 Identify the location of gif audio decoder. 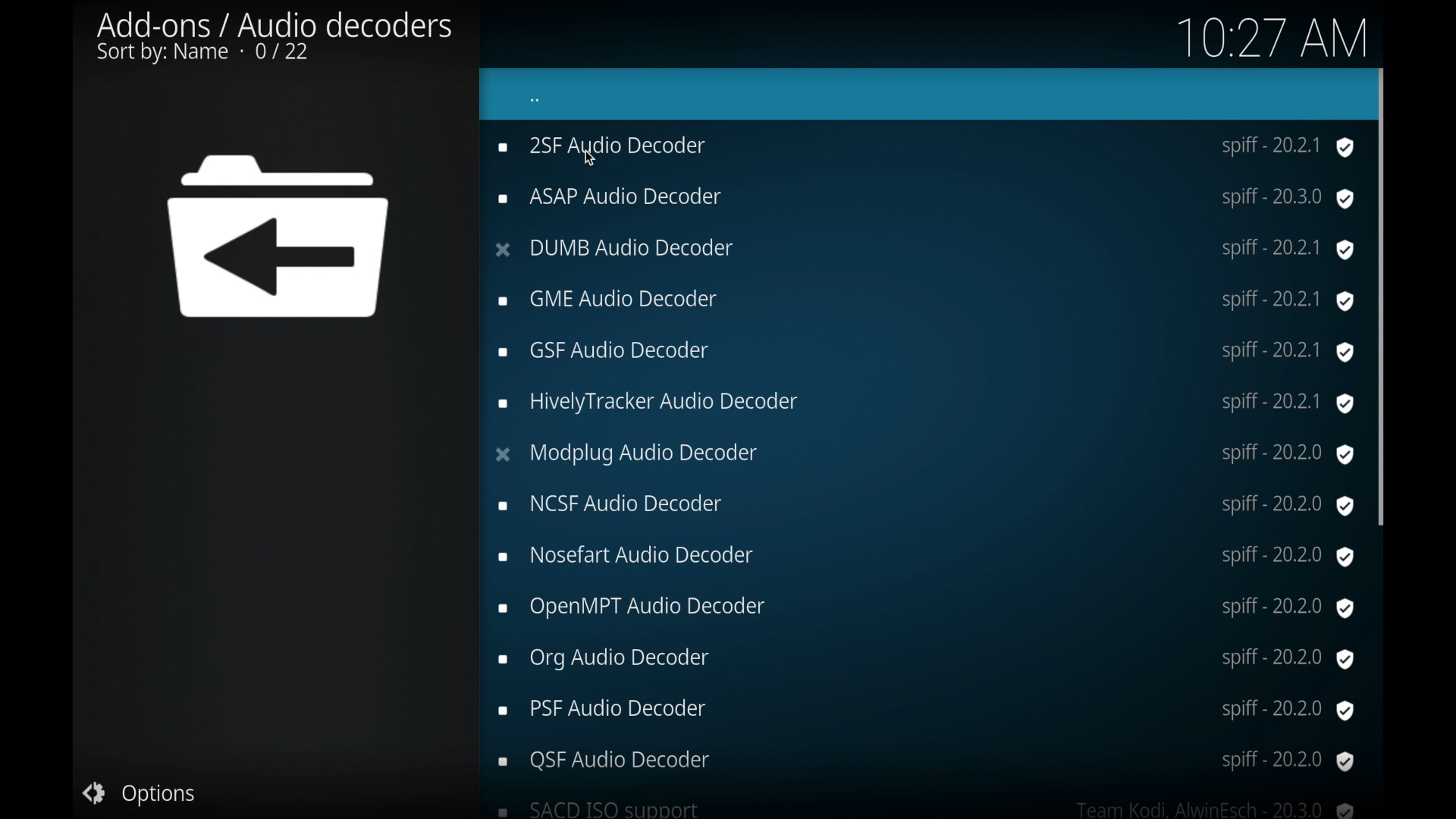
(927, 353).